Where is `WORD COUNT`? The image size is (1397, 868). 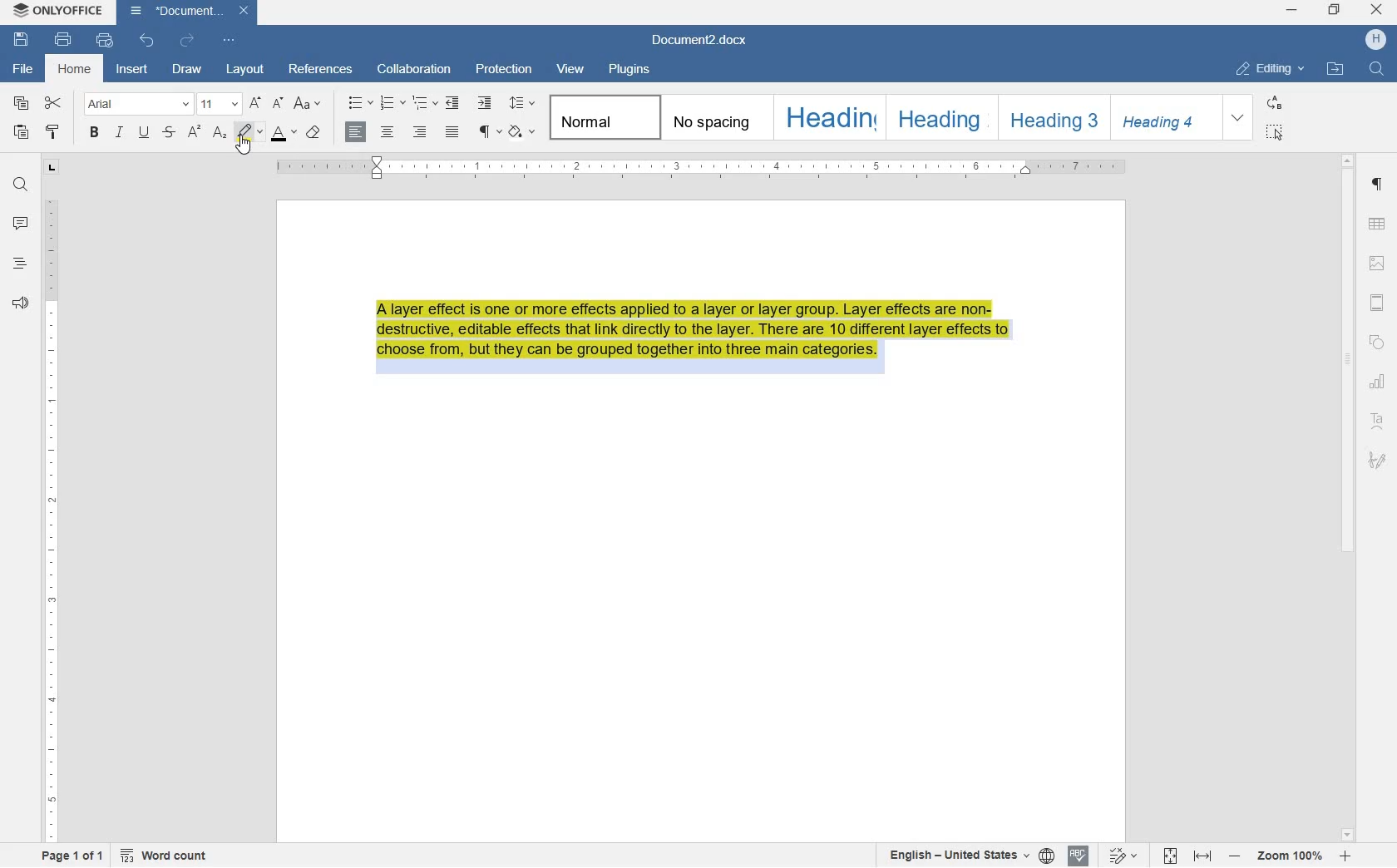 WORD COUNT is located at coordinates (165, 856).